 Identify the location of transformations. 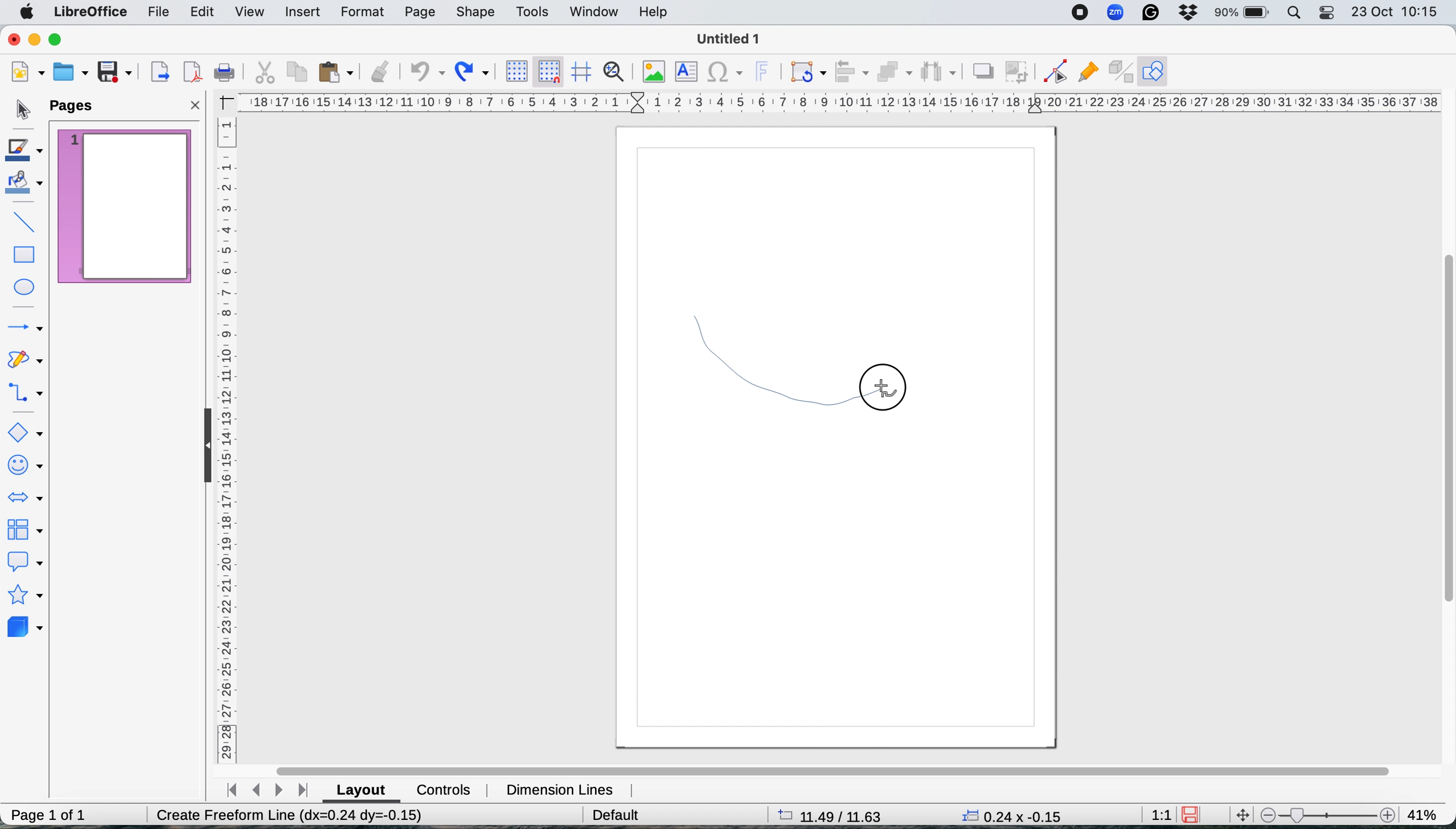
(807, 73).